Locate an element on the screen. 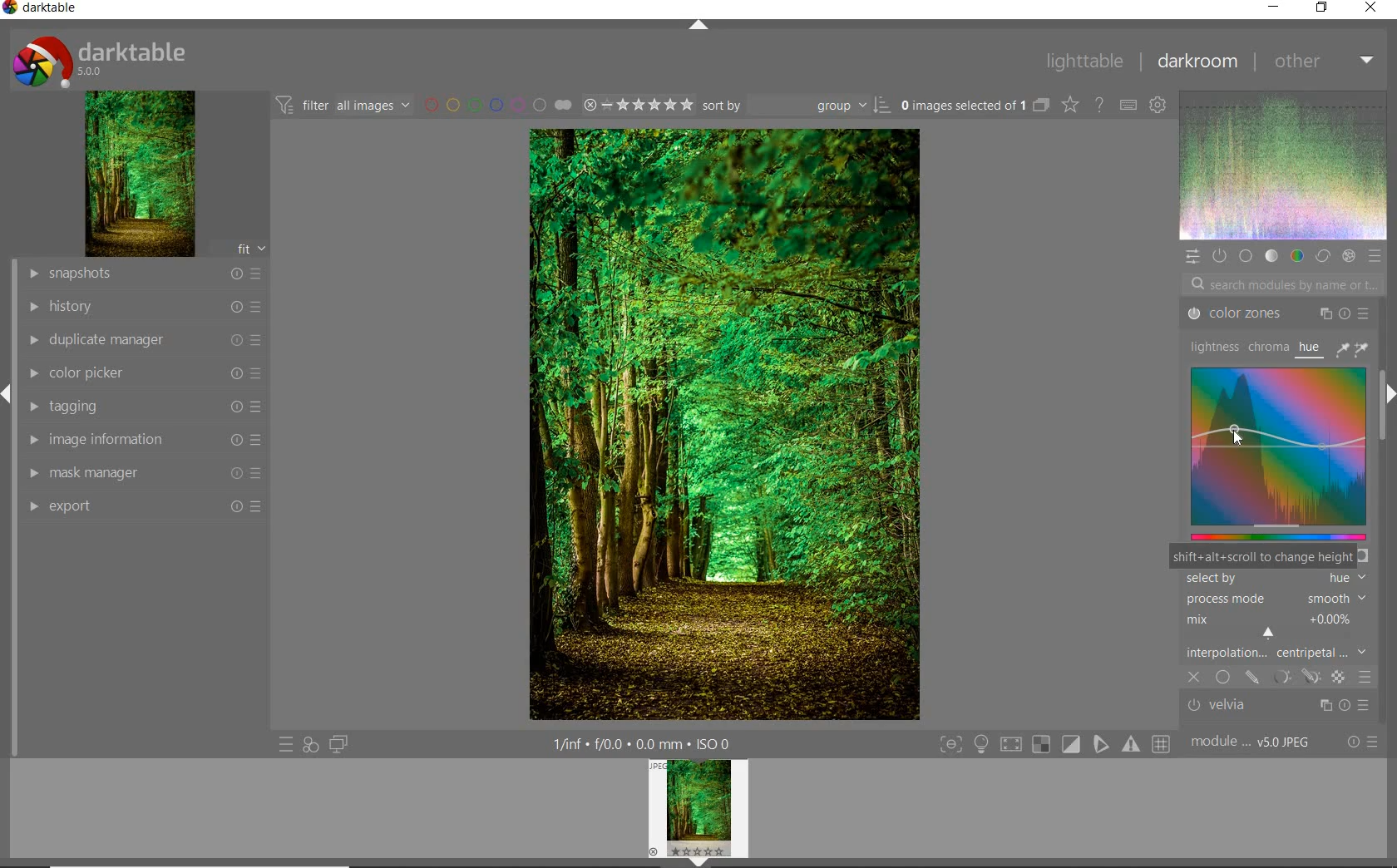  SHOW ONLY ACTIVE MODULE is located at coordinates (1220, 255).